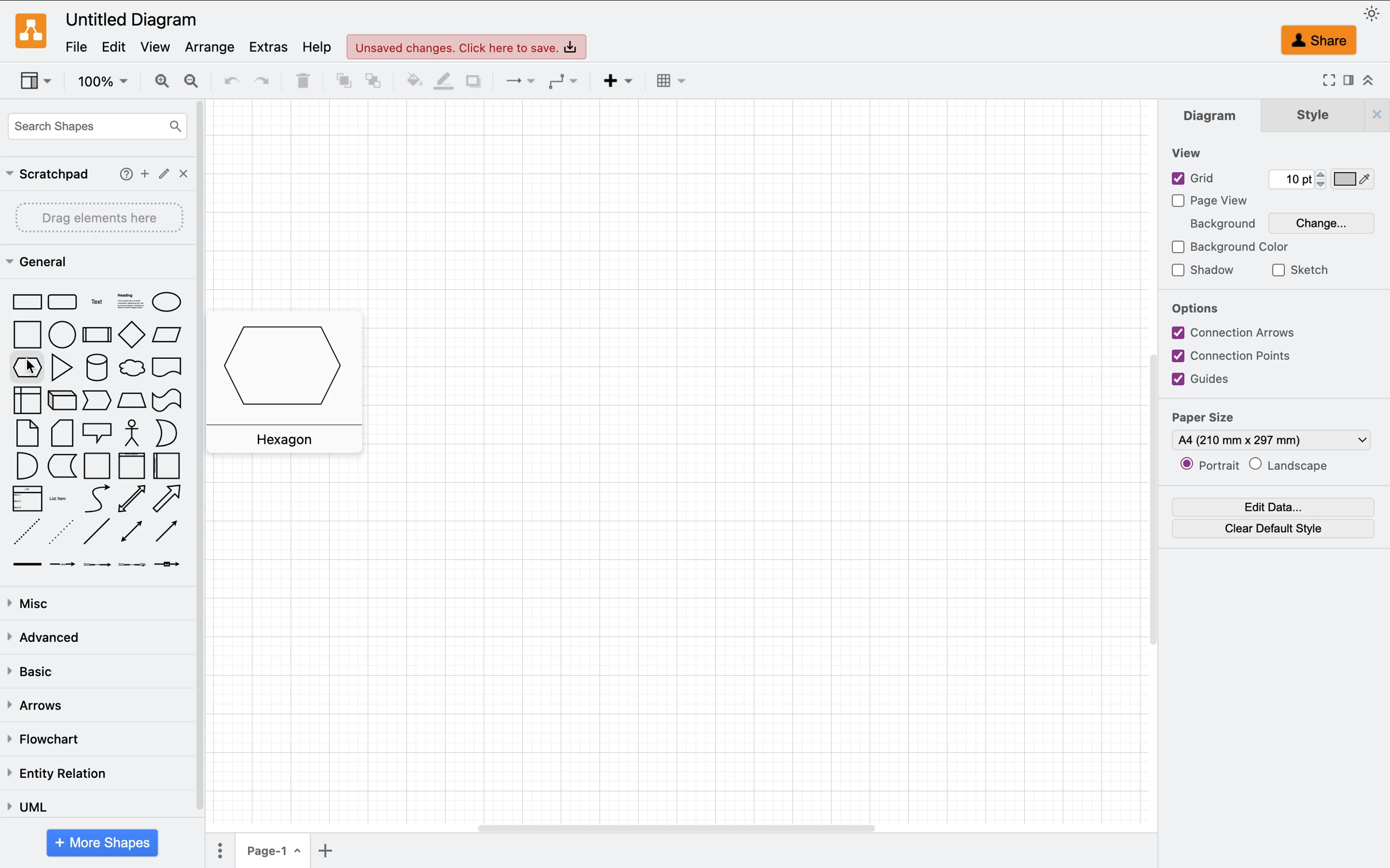 This screenshot has width=1390, height=868. What do you see at coordinates (290, 380) in the screenshot?
I see `hexagon popup` at bounding box center [290, 380].